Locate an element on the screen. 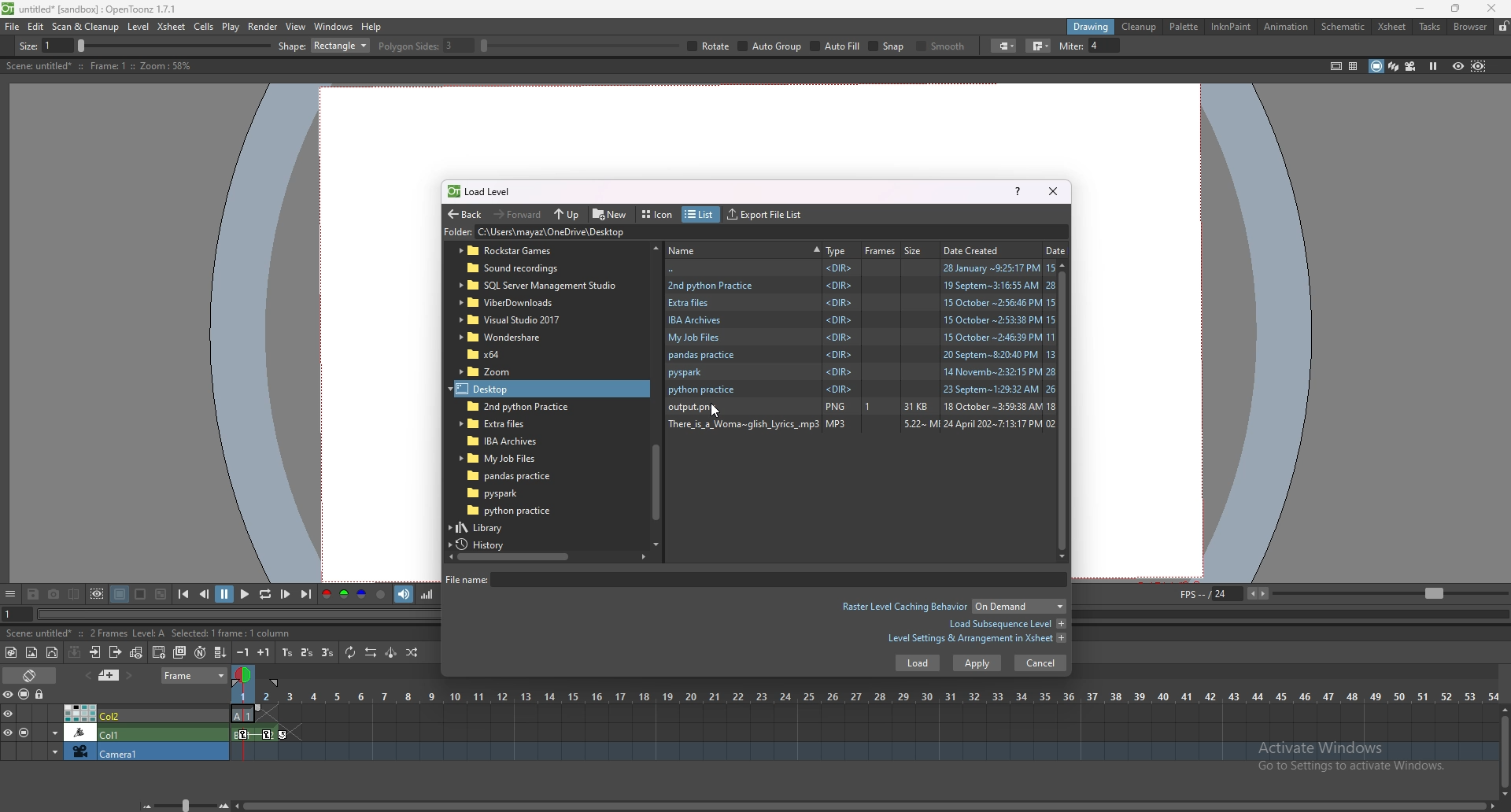 The image size is (1511, 812). apply is located at coordinates (977, 663).